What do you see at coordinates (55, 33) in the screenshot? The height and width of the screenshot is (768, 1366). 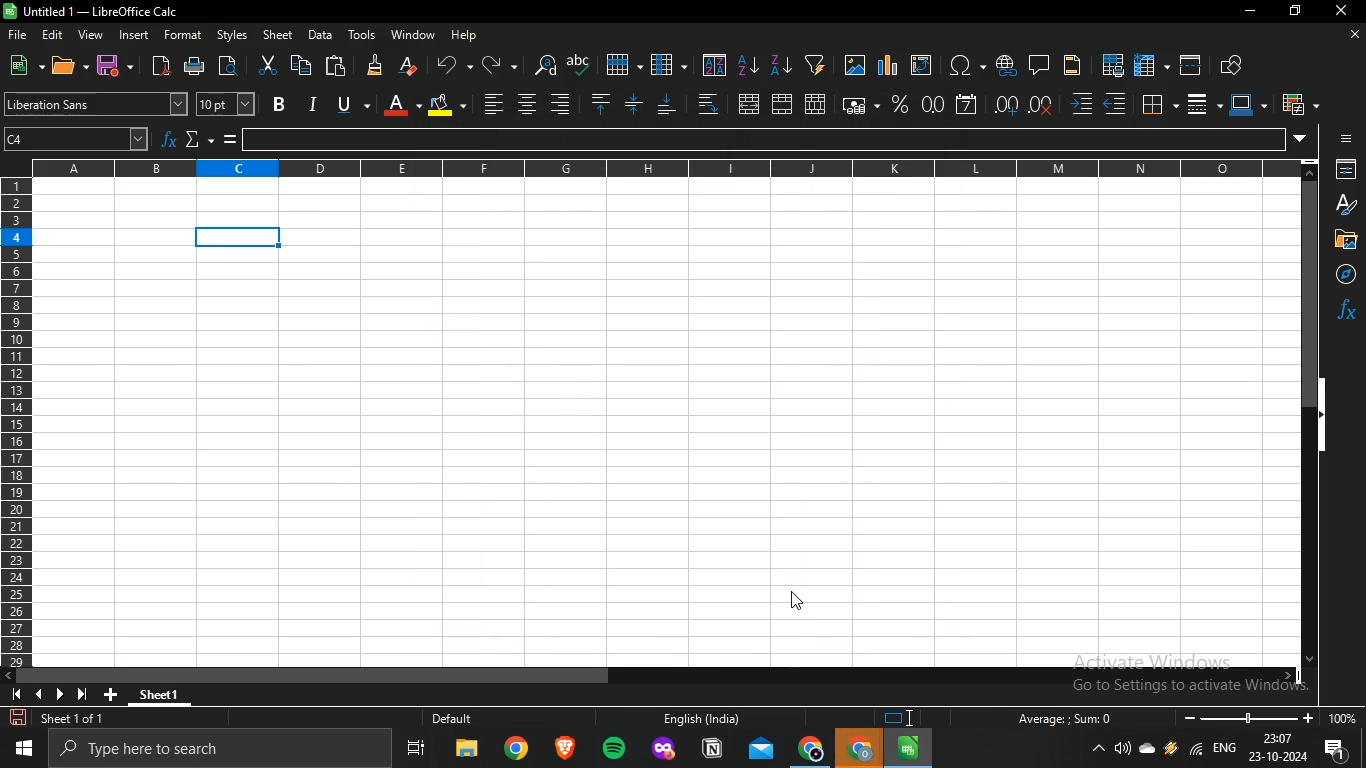 I see `edit` at bounding box center [55, 33].